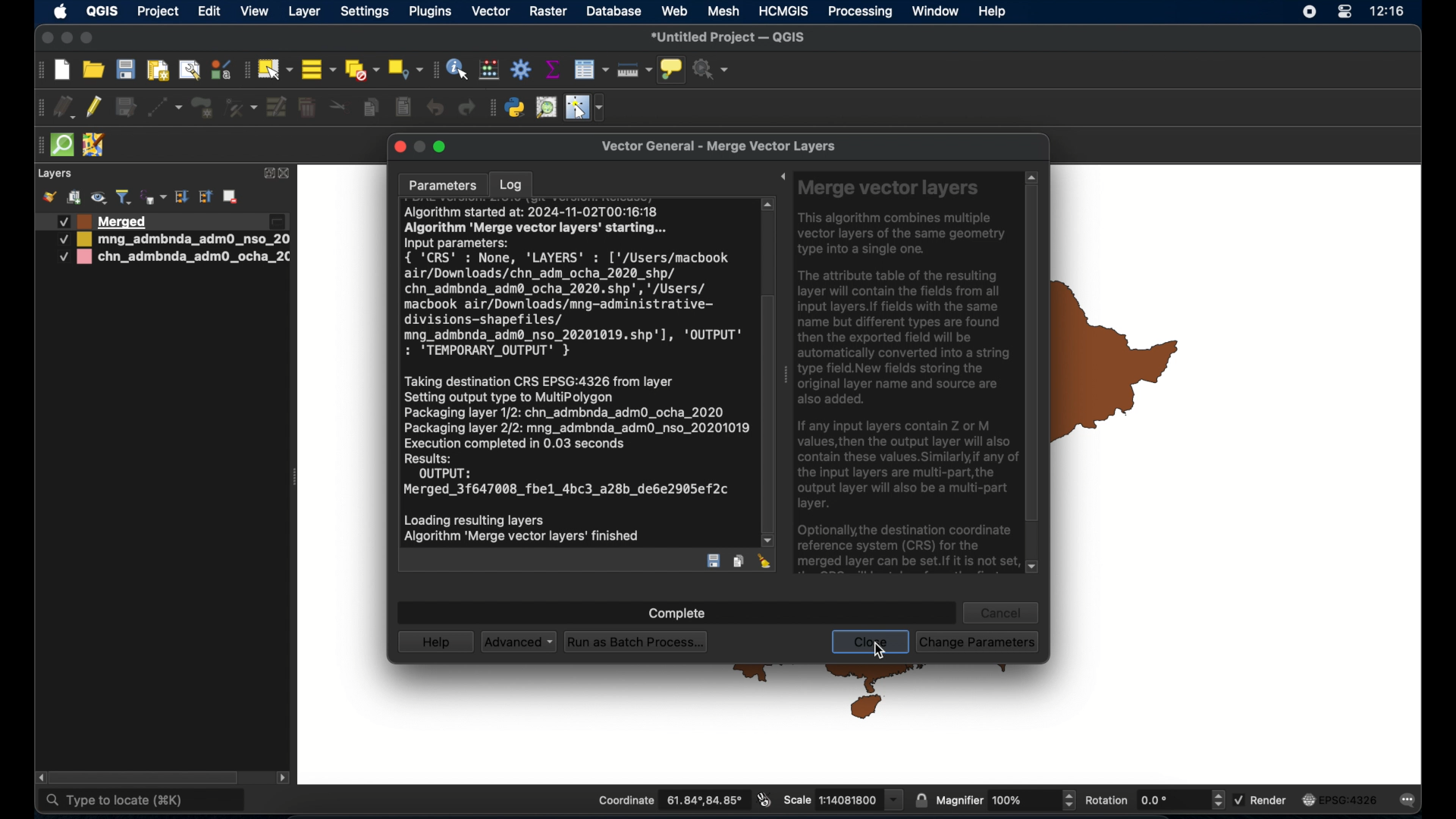 This screenshot has height=819, width=1456. What do you see at coordinates (177, 259) in the screenshot?
I see `china administrative boundary layer 2` at bounding box center [177, 259].